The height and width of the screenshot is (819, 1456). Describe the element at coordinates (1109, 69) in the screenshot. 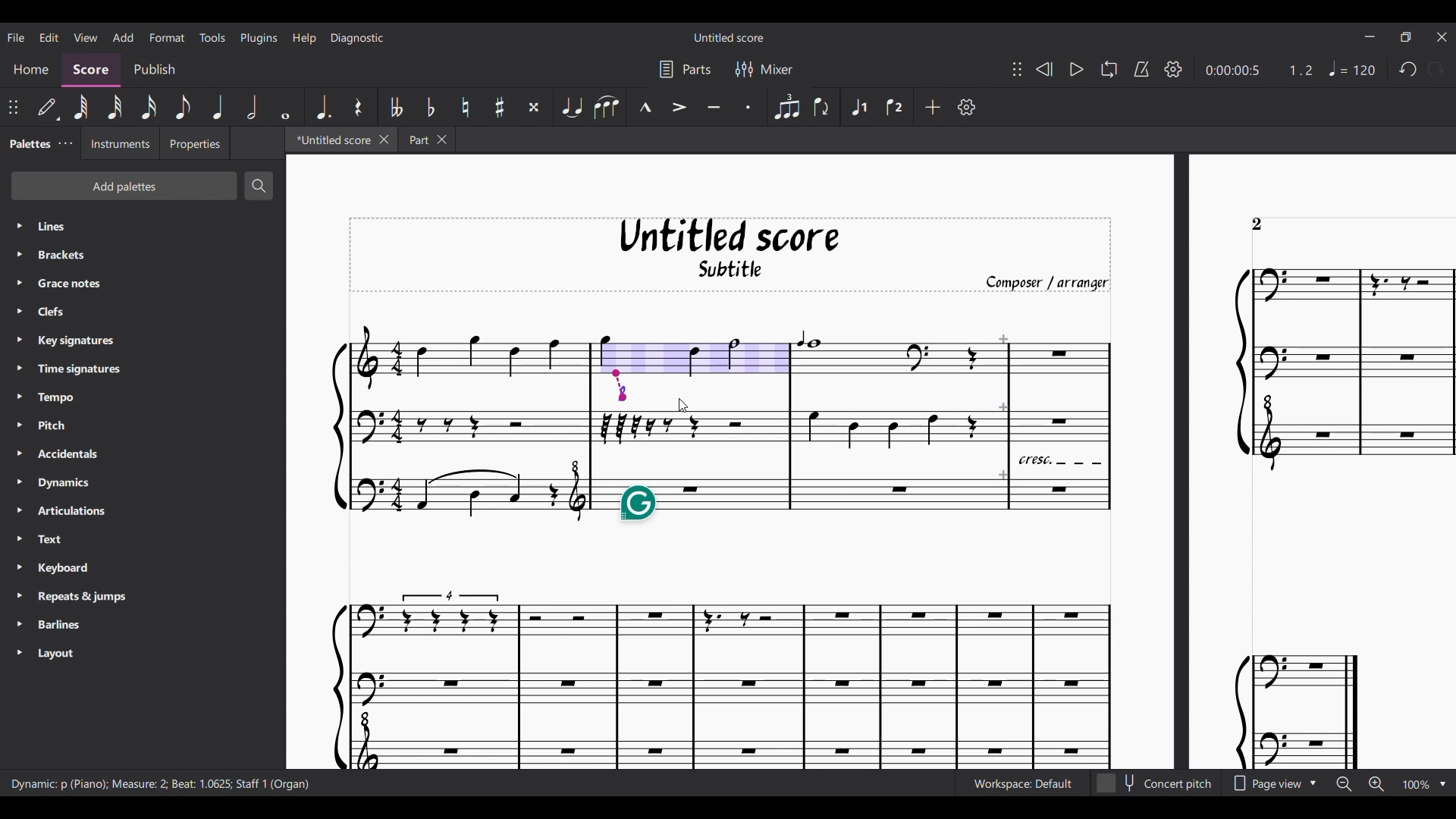

I see `Looping playback` at that location.